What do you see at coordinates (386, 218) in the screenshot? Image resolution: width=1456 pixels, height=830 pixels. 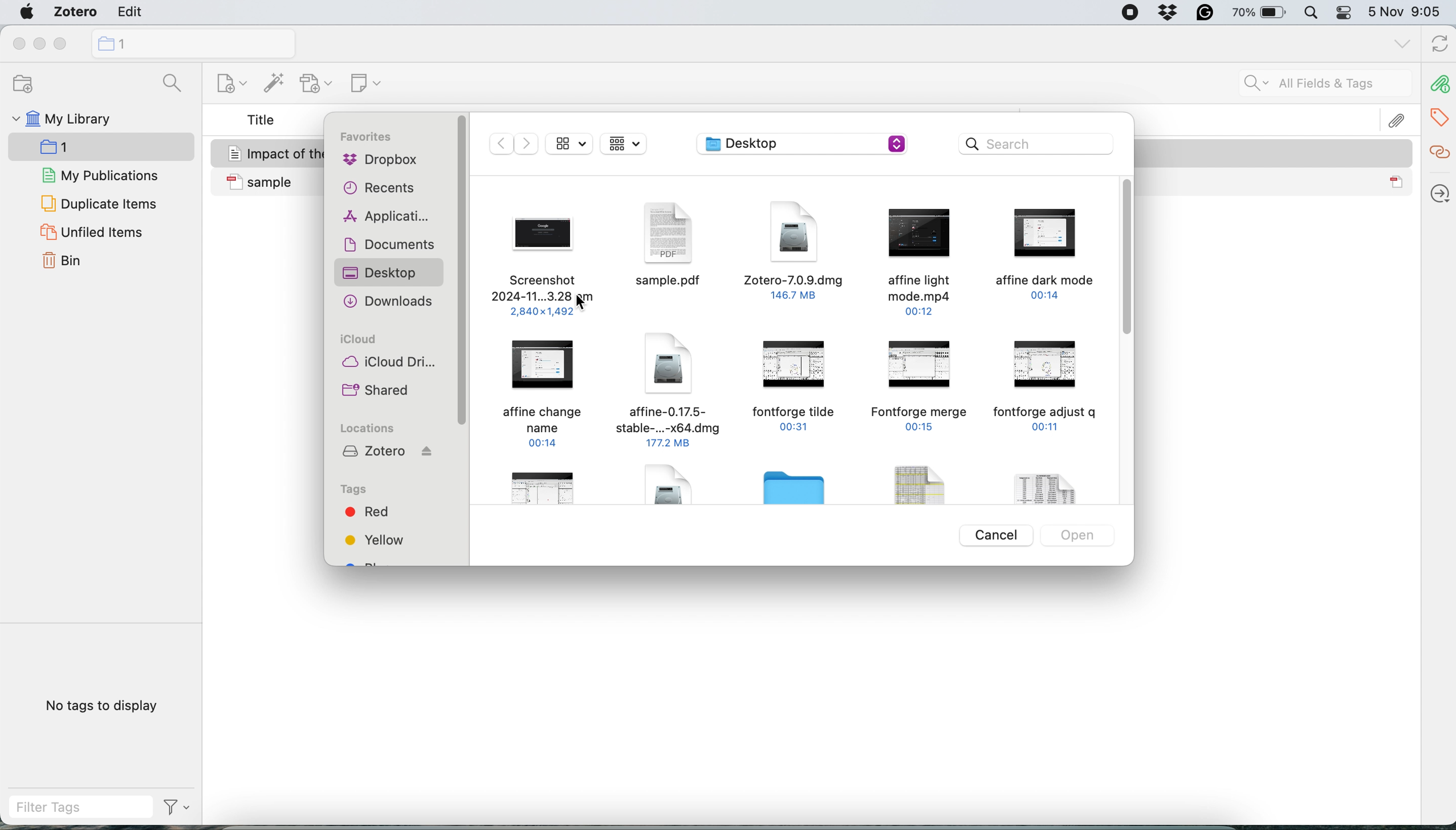 I see `applications` at bounding box center [386, 218].